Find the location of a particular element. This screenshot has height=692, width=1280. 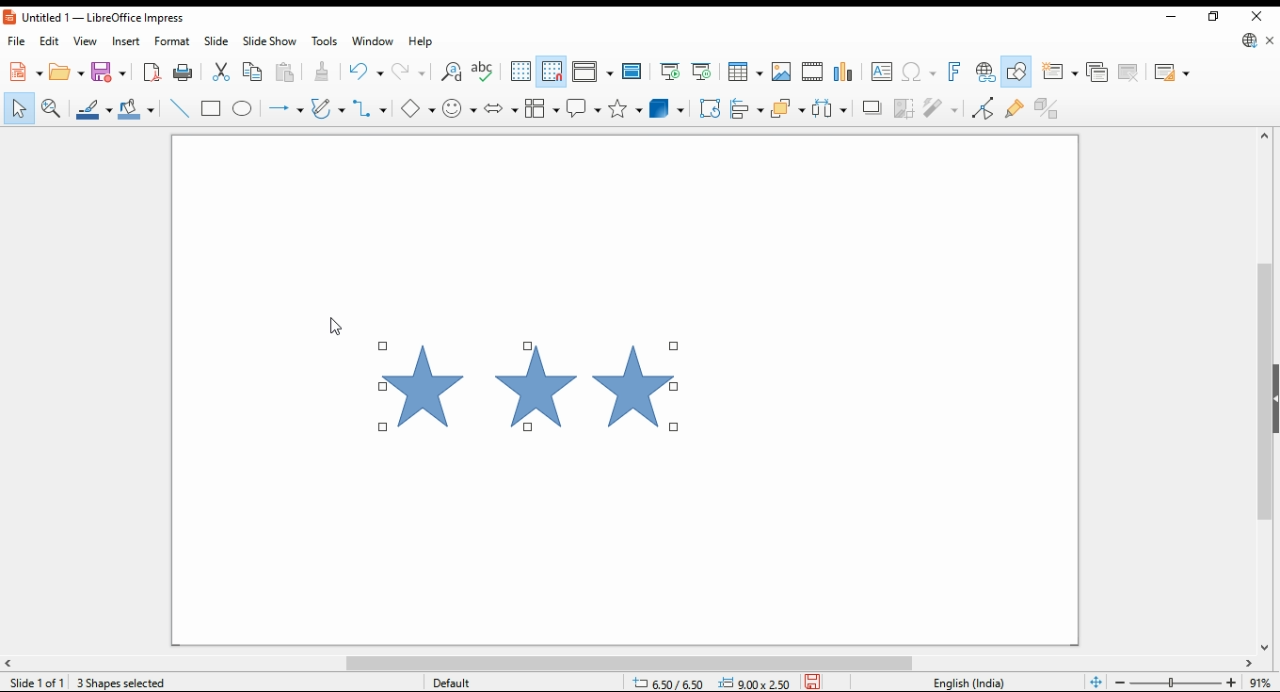

default is located at coordinates (474, 681).